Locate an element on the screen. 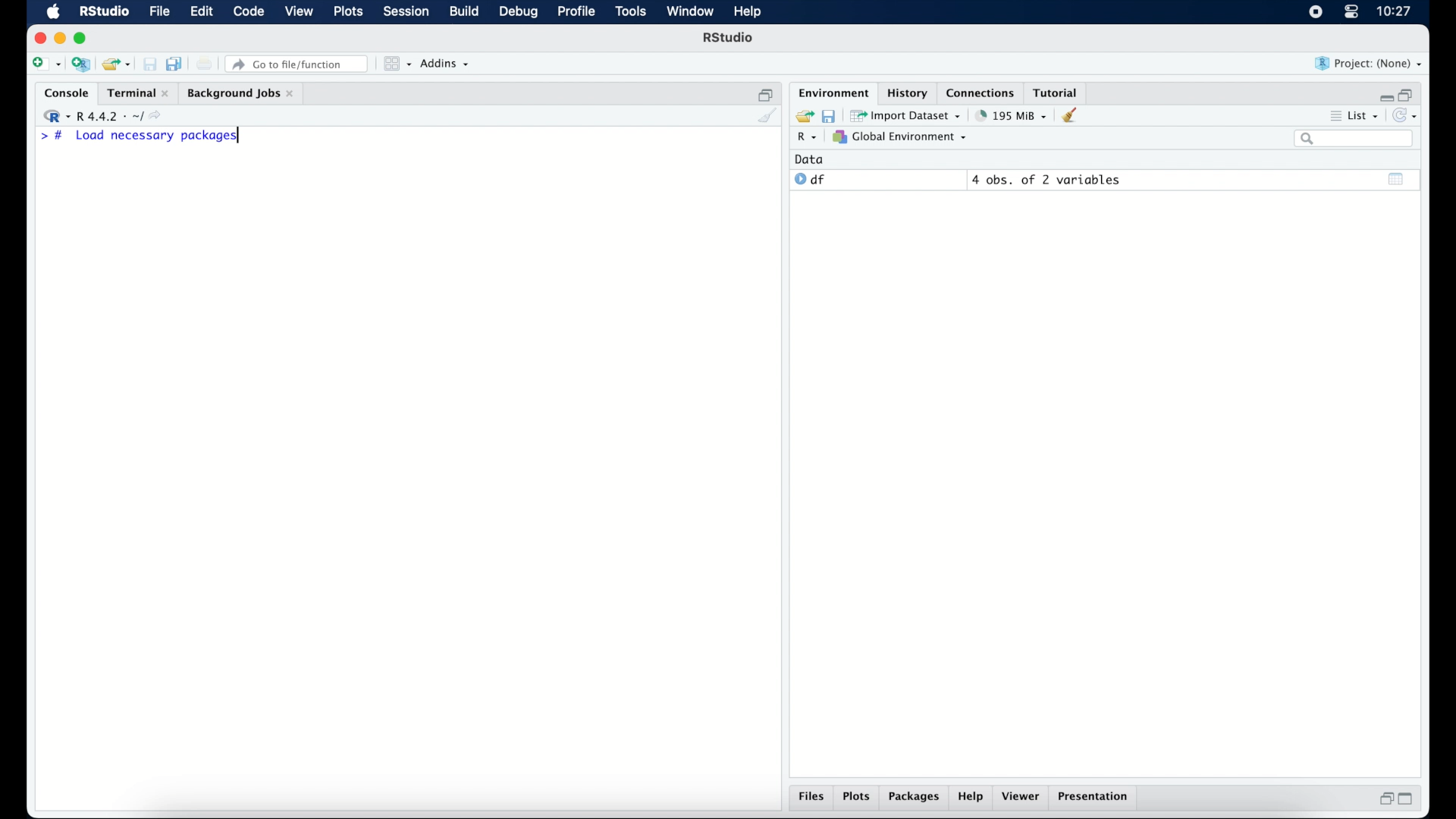 The image size is (1456, 819). restore down is located at coordinates (1409, 93).